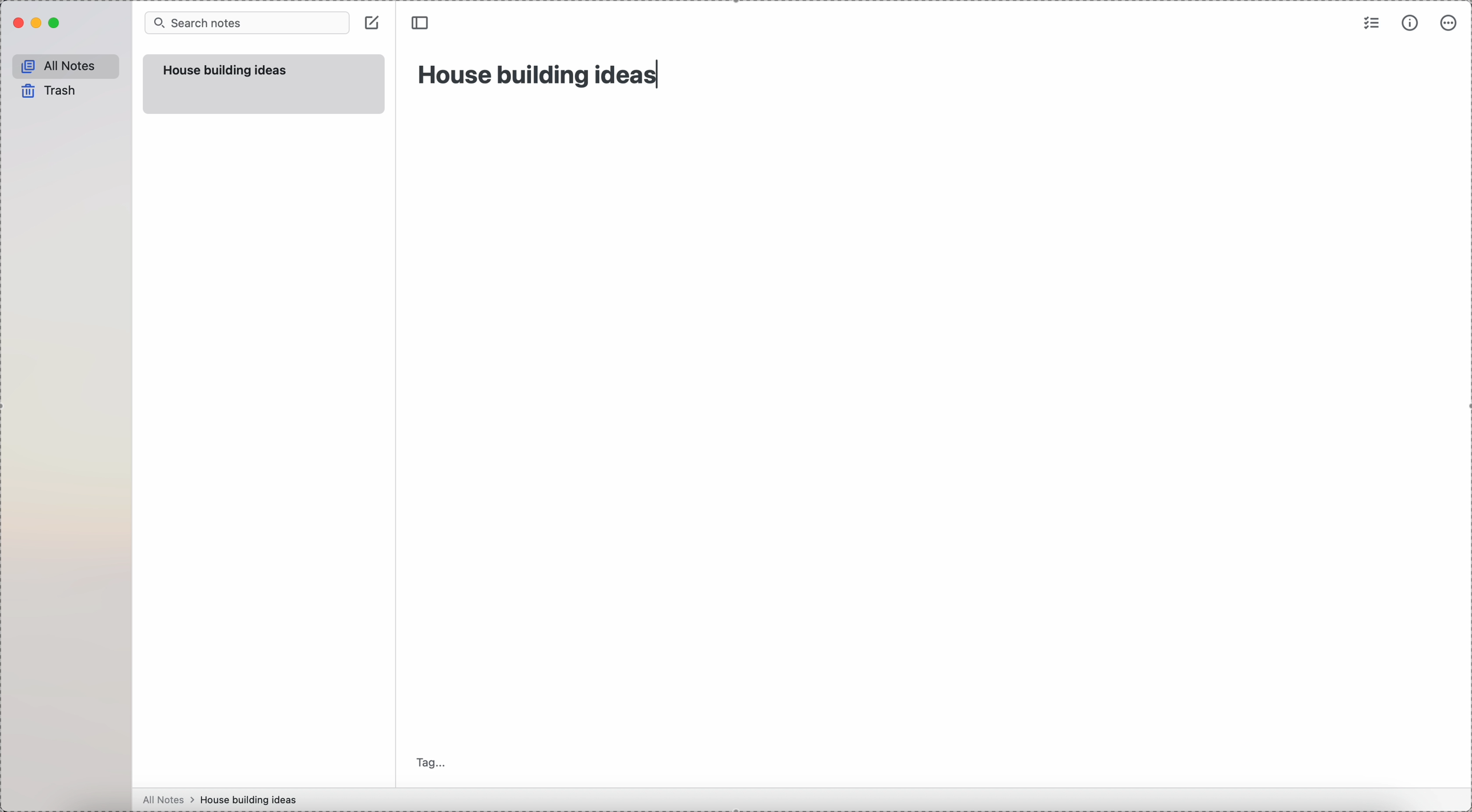 This screenshot has height=812, width=1472. Describe the element at coordinates (47, 91) in the screenshot. I see `trash` at that location.